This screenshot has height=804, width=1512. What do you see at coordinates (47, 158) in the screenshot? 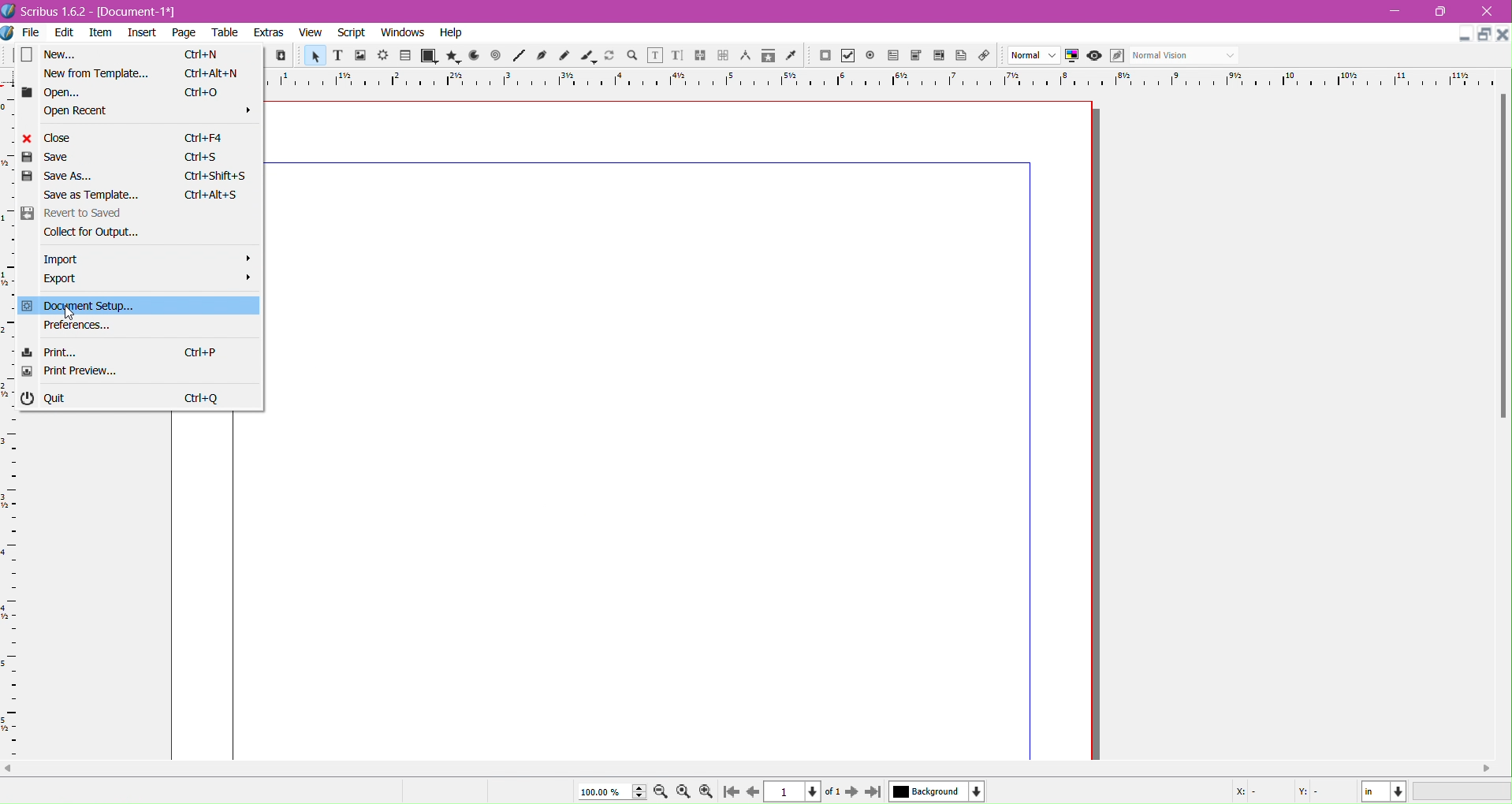
I see `save` at bounding box center [47, 158].